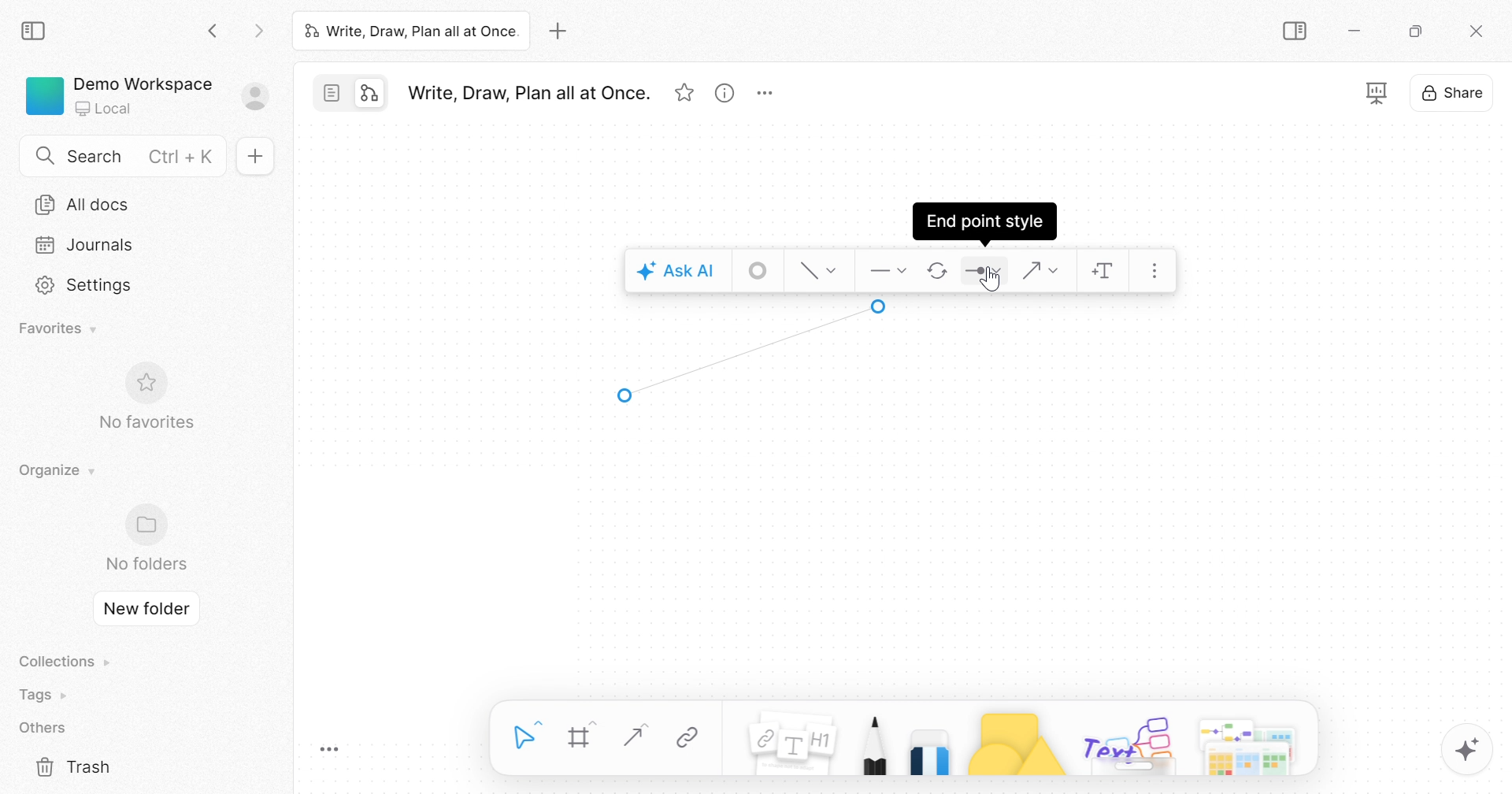 The width and height of the screenshot is (1512, 794). I want to click on Start point style, so click(886, 269).